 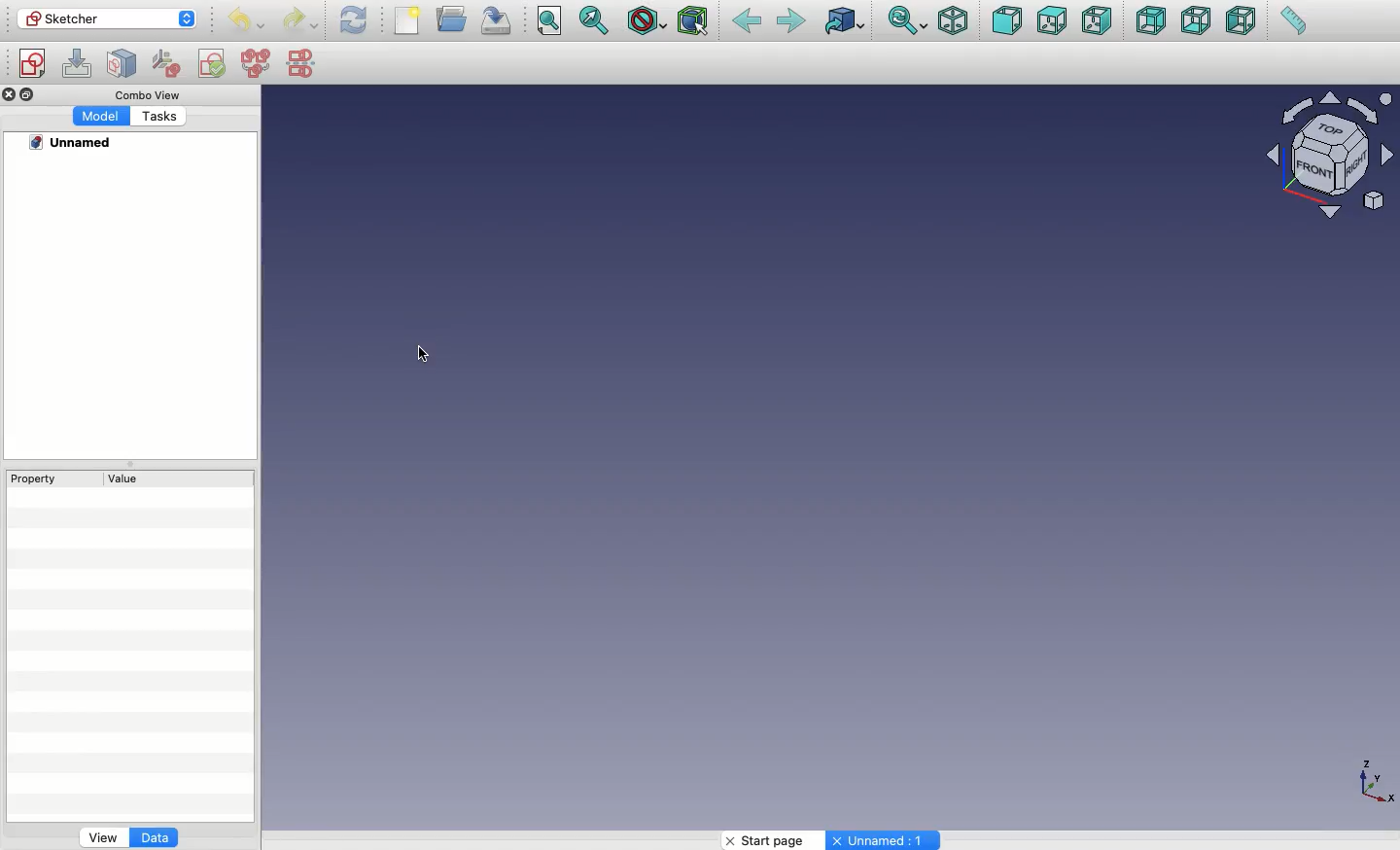 What do you see at coordinates (1196, 22) in the screenshot?
I see `Bottom` at bounding box center [1196, 22].